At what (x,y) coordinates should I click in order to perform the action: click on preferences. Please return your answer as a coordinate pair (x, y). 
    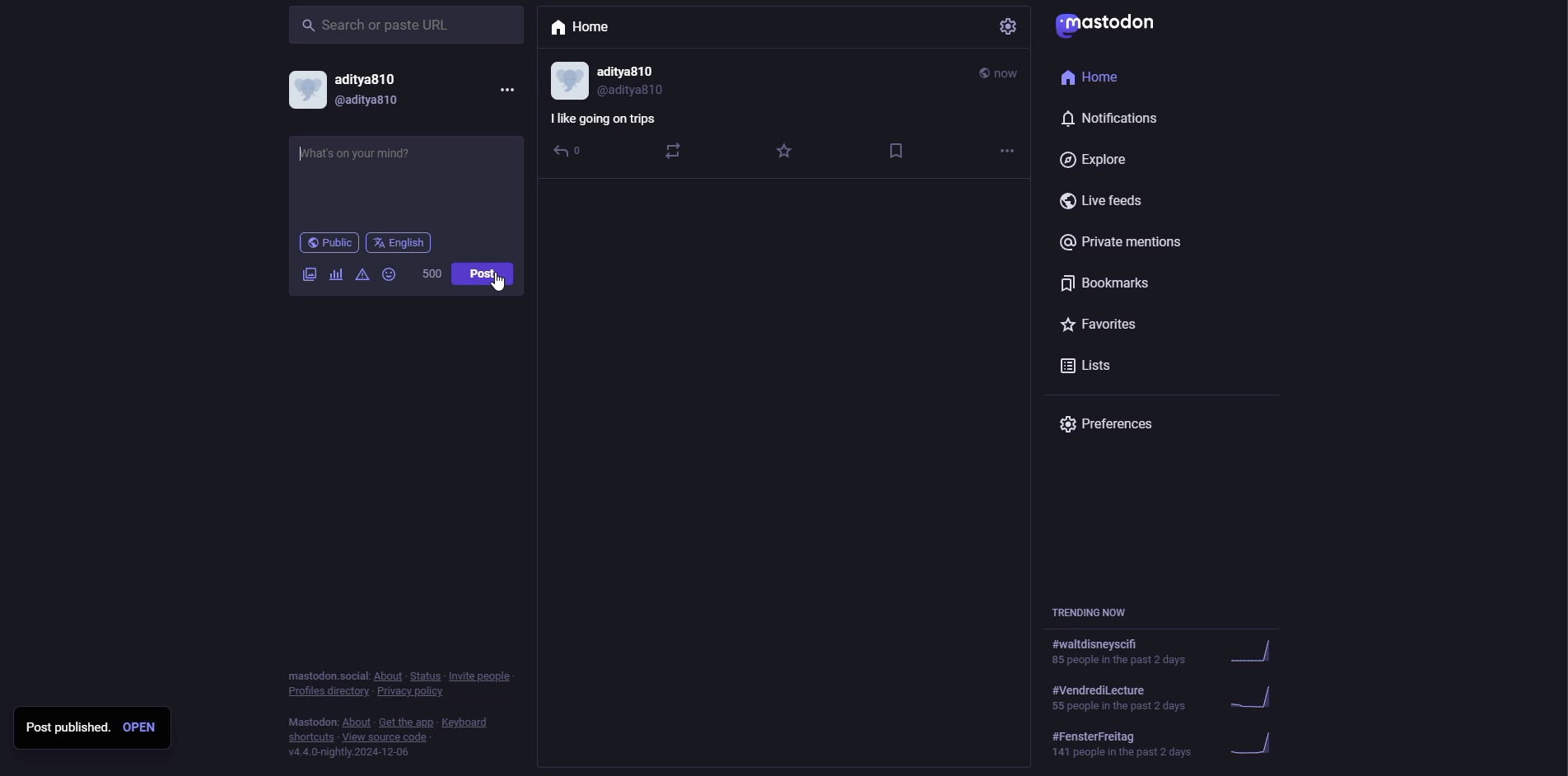
    Looking at the image, I should click on (1111, 428).